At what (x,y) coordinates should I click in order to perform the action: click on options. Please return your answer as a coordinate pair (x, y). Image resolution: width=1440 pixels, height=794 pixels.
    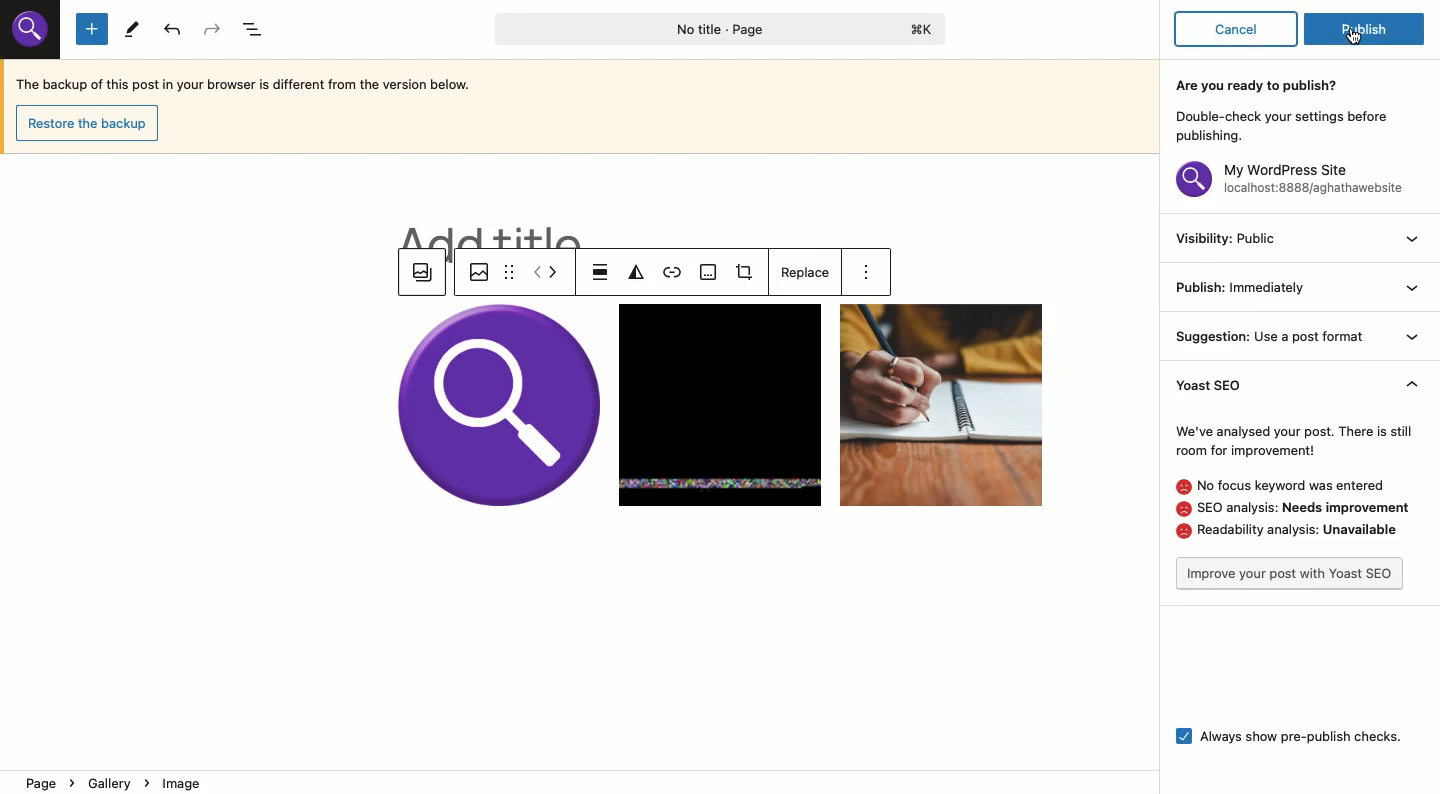
    Looking at the image, I should click on (872, 274).